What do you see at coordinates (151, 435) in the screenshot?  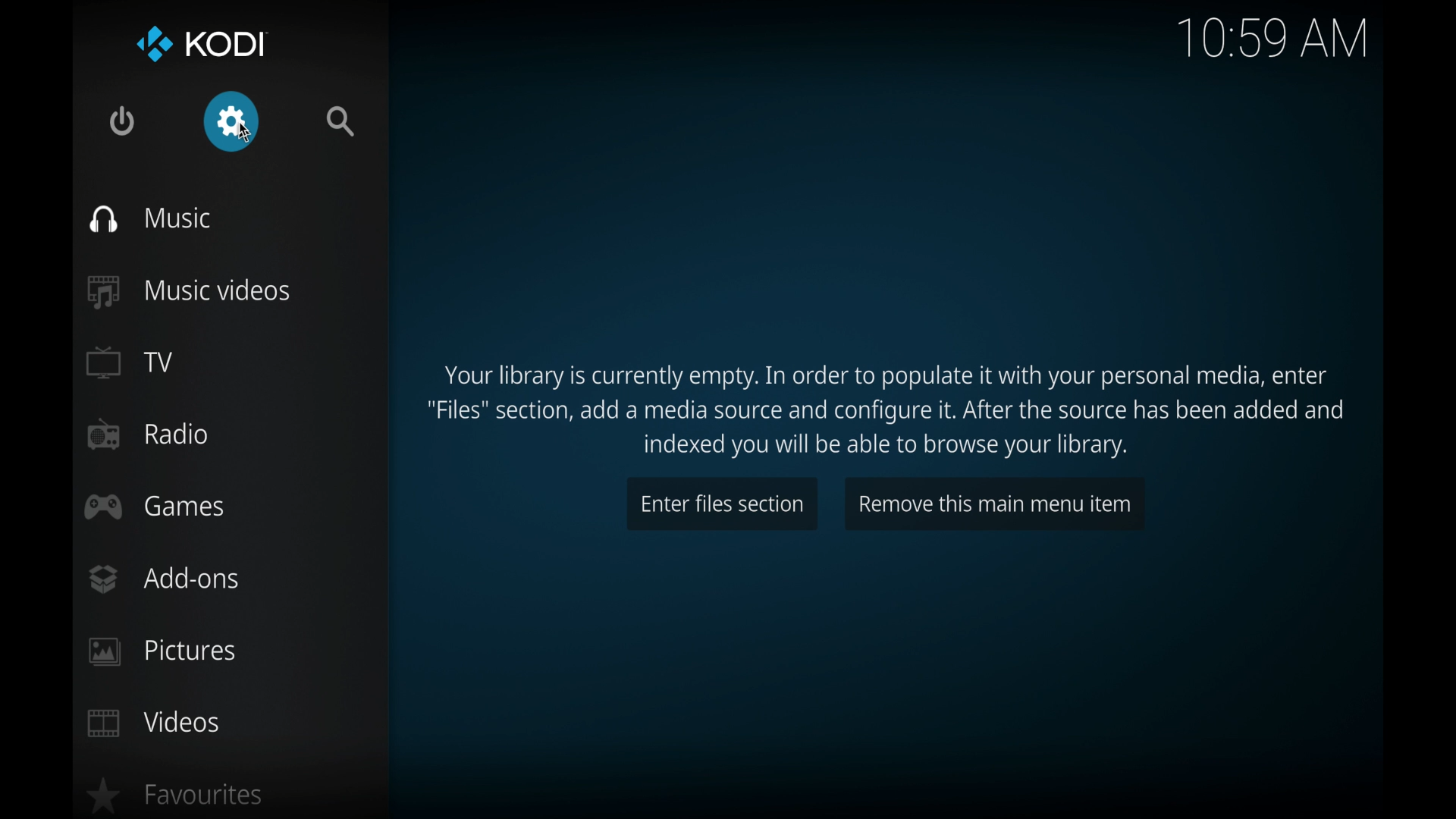 I see `radio` at bounding box center [151, 435].